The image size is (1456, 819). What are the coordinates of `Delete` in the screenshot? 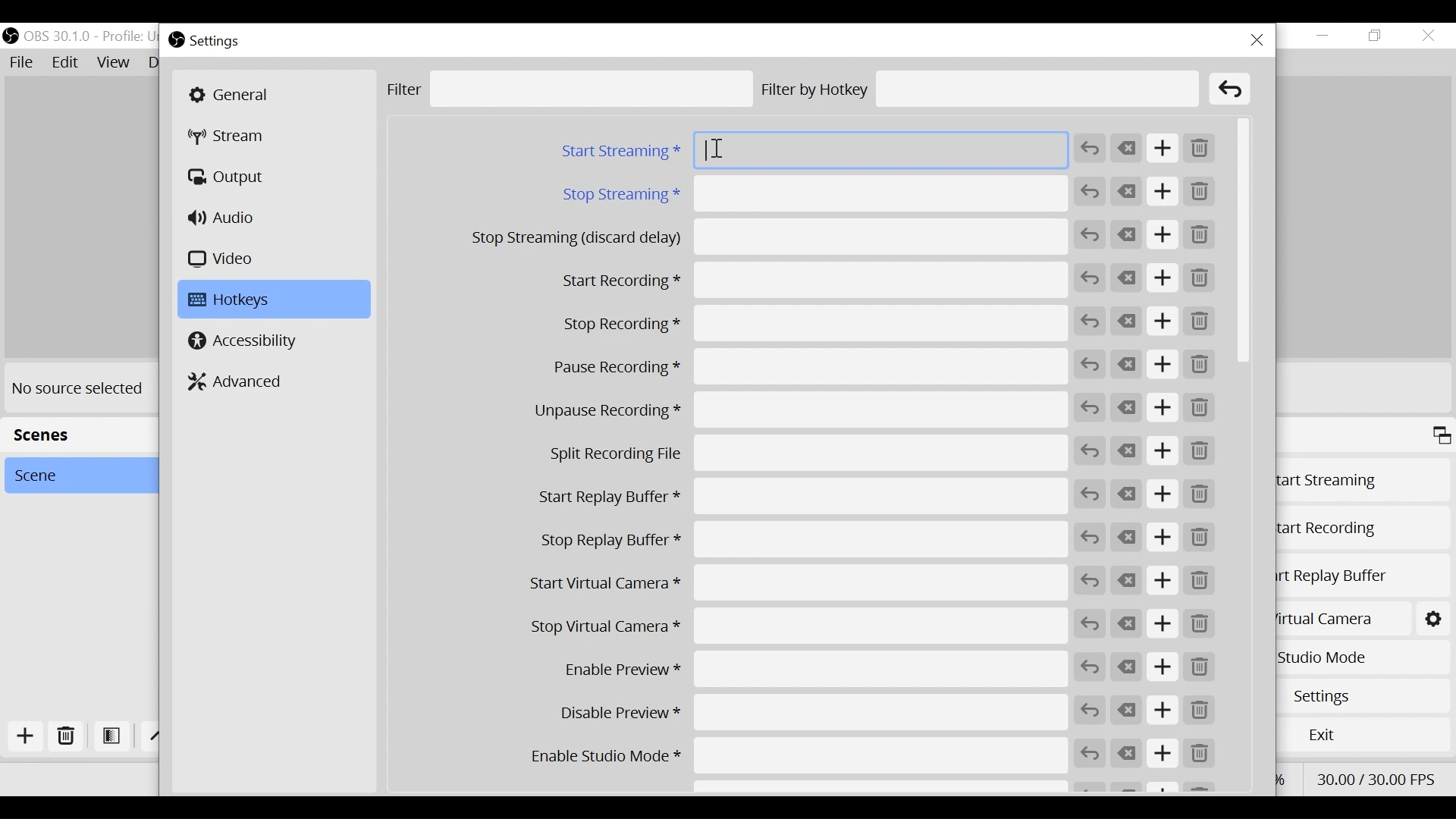 It's located at (67, 737).